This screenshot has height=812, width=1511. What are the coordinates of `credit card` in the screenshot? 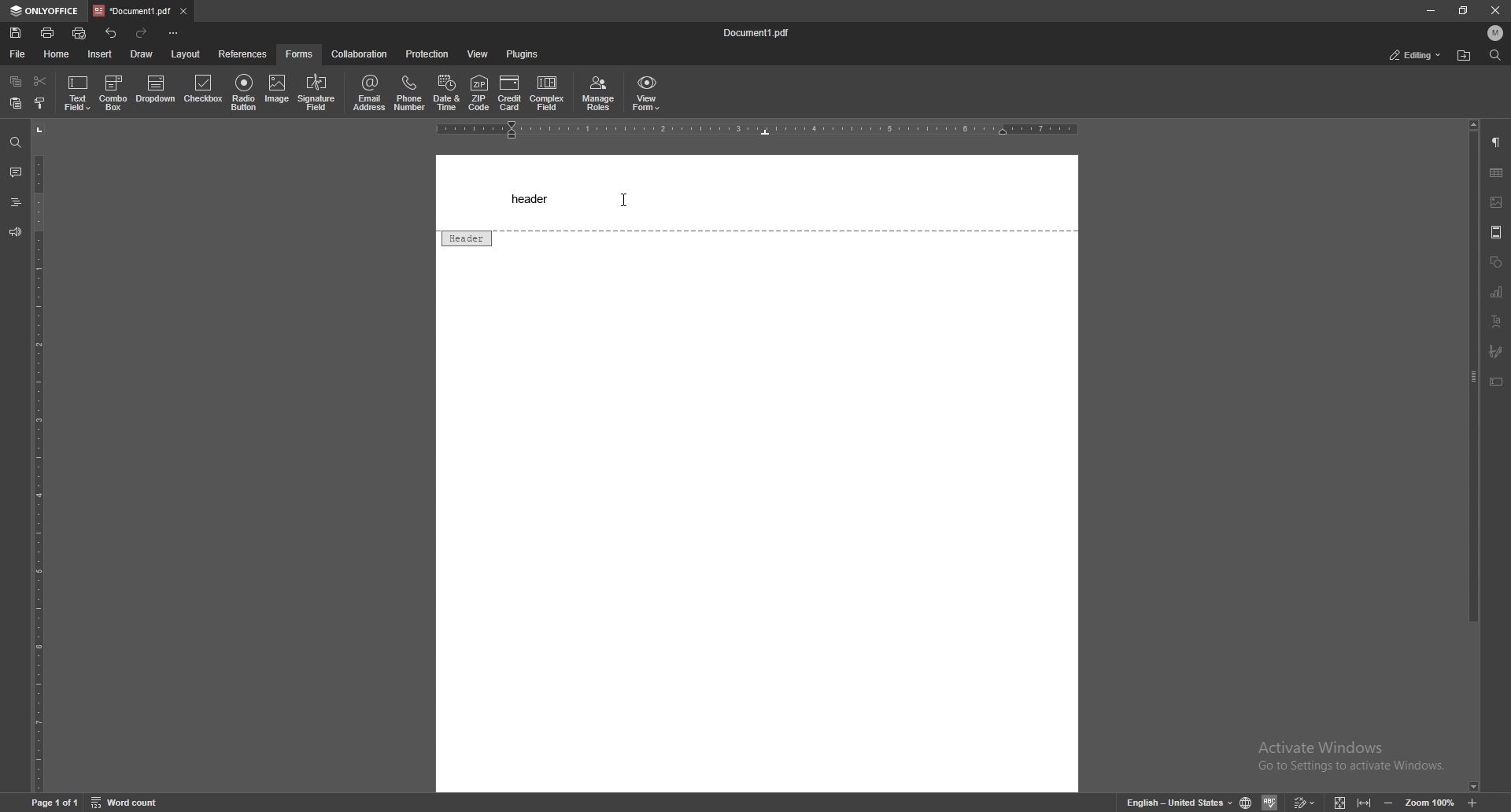 It's located at (509, 94).